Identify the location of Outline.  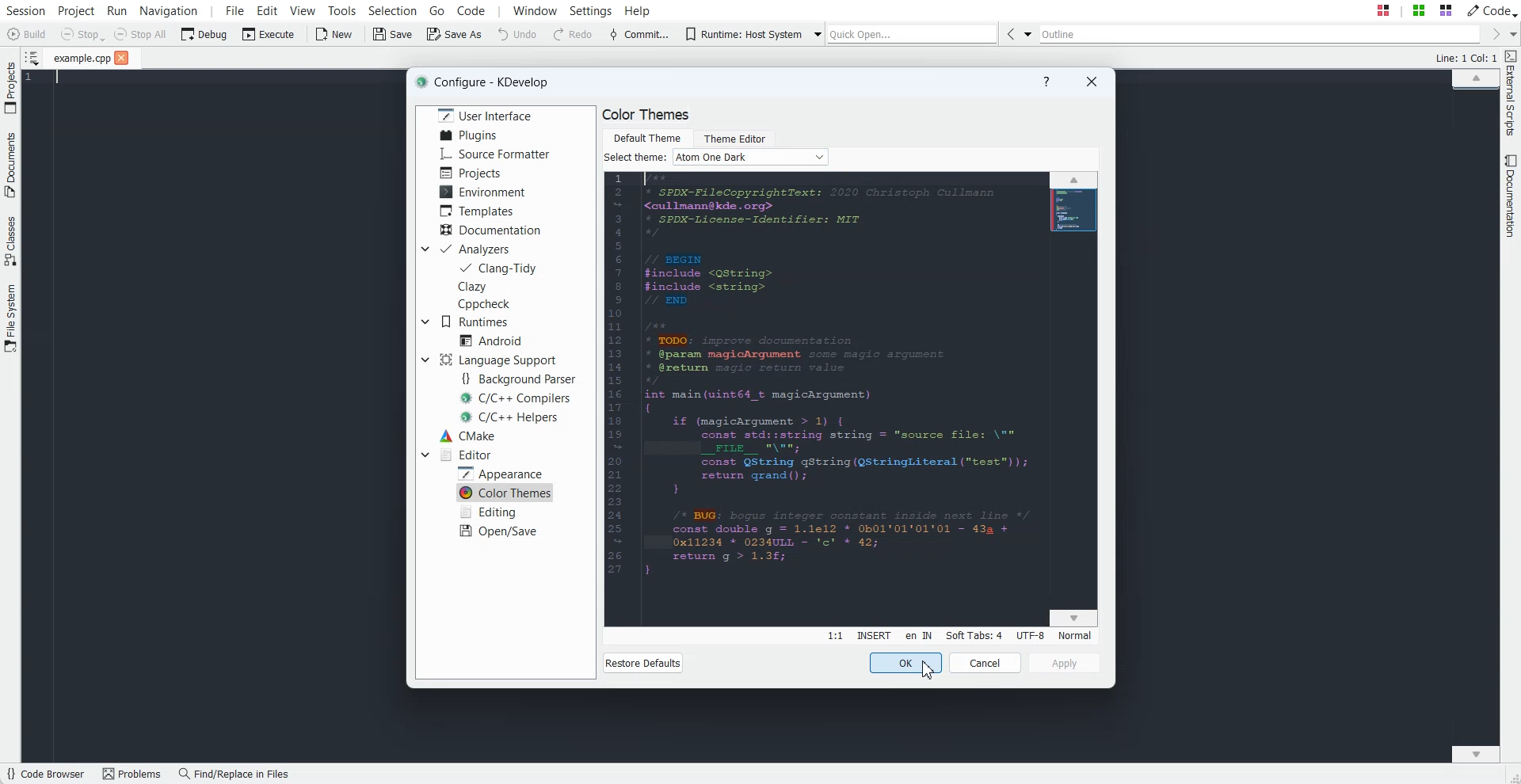
(1258, 34).